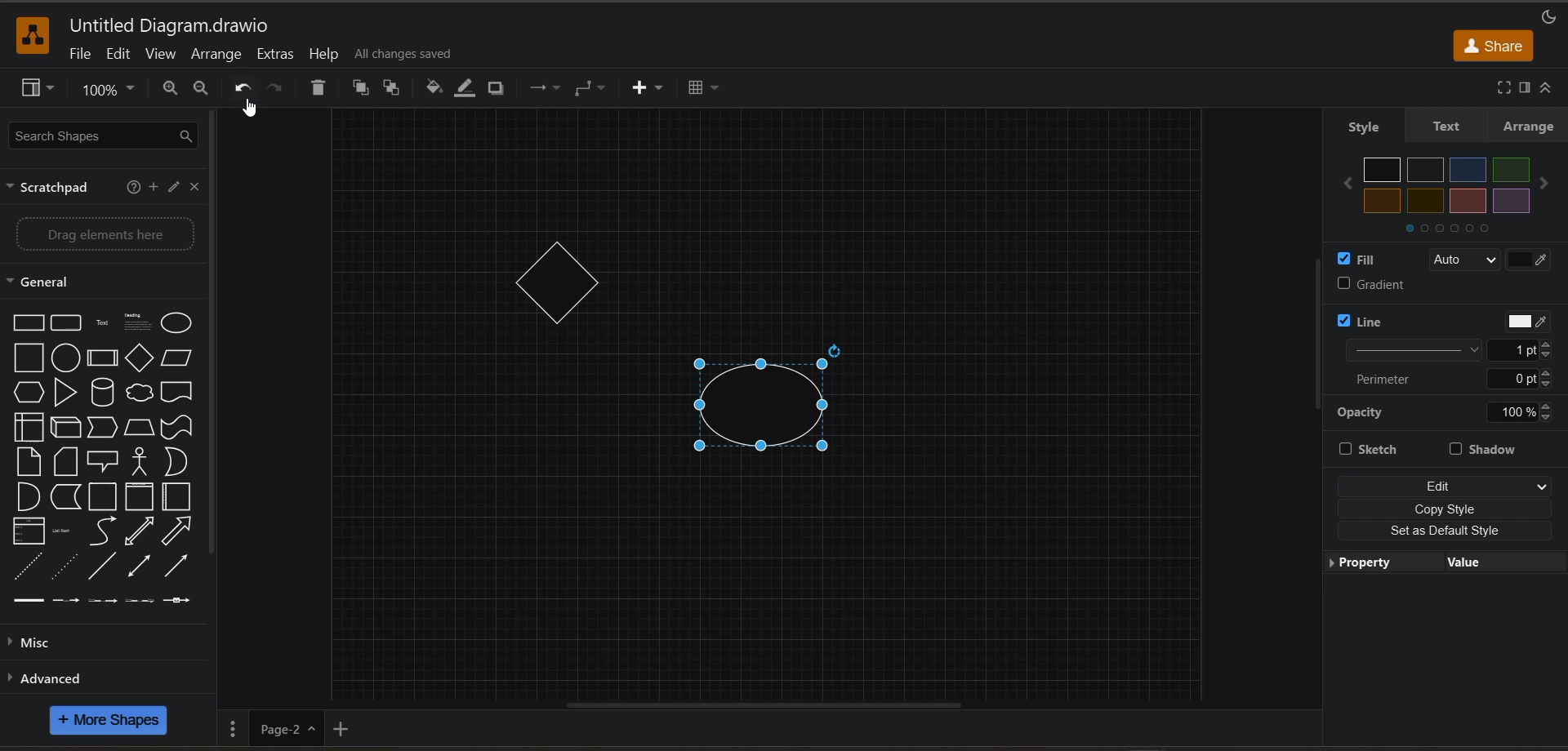 The image size is (1568, 751). I want to click on pages, so click(235, 727).